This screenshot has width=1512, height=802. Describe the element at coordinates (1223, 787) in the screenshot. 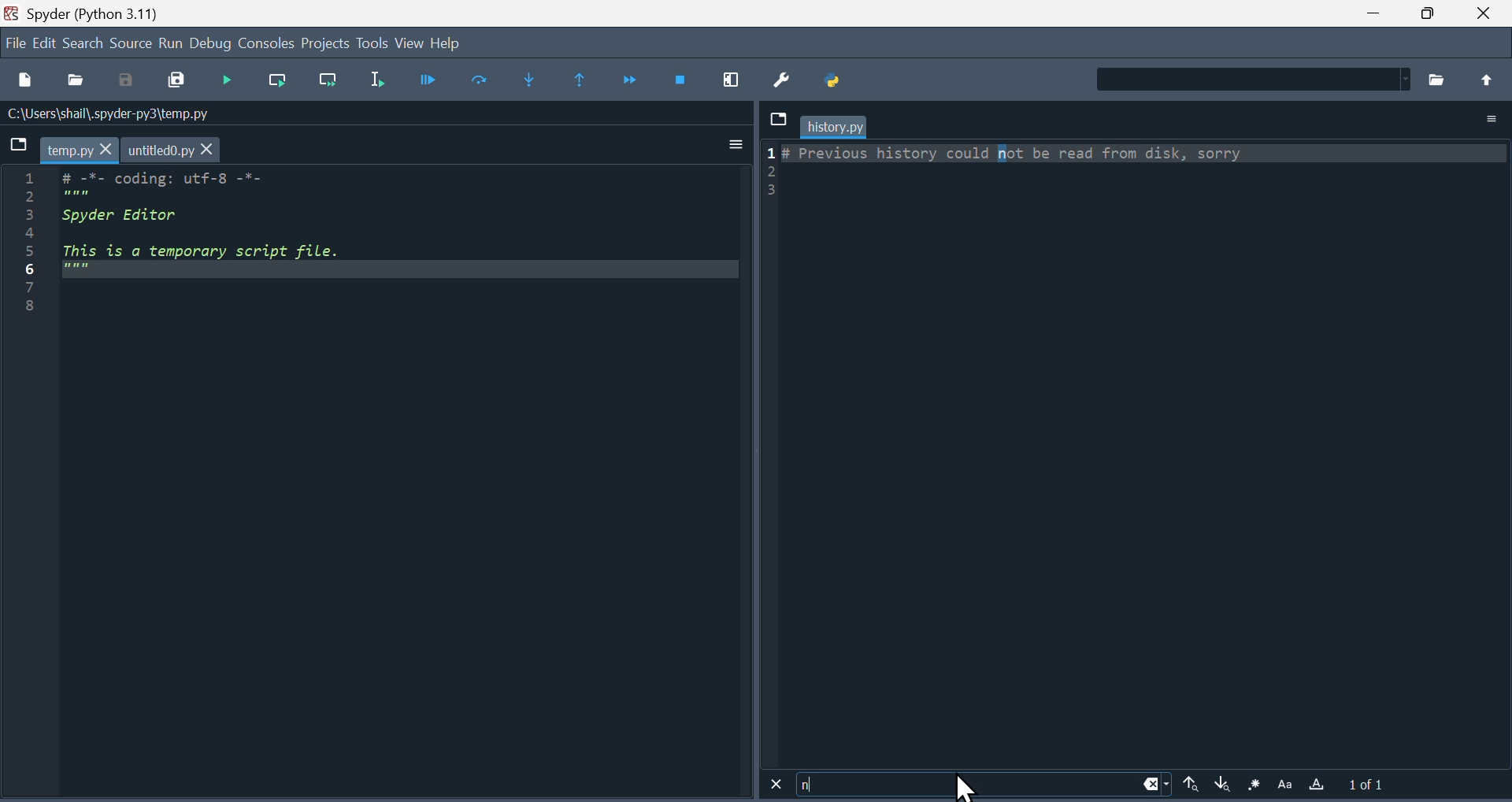

I see `Down arrow in search` at that location.